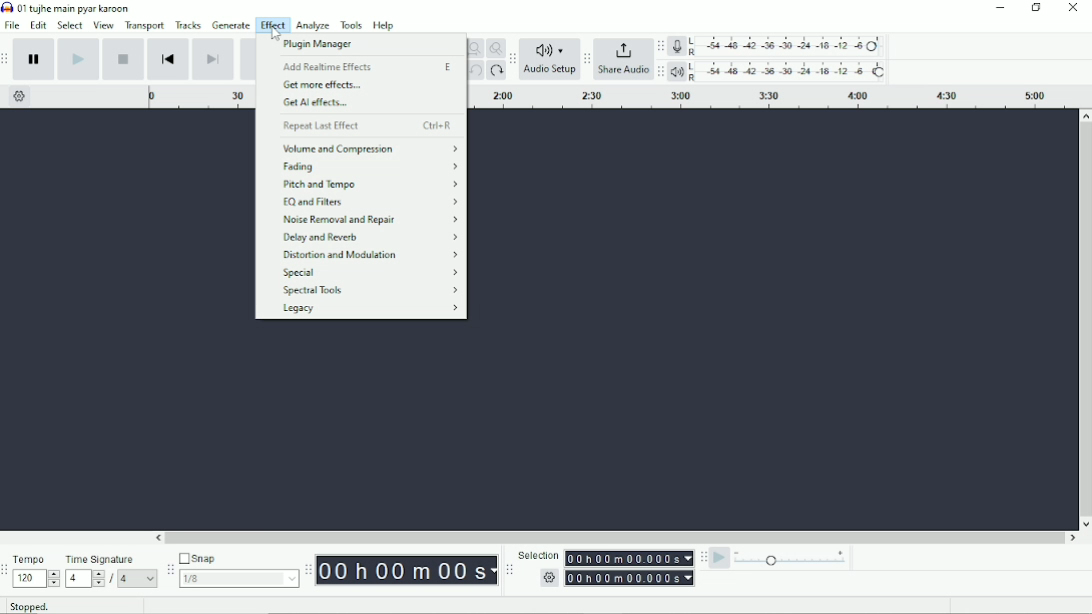 The height and width of the screenshot is (614, 1092). What do you see at coordinates (508, 568) in the screenshot?
I see `Audacity selection toolbar` at bounding box center [508, 568].